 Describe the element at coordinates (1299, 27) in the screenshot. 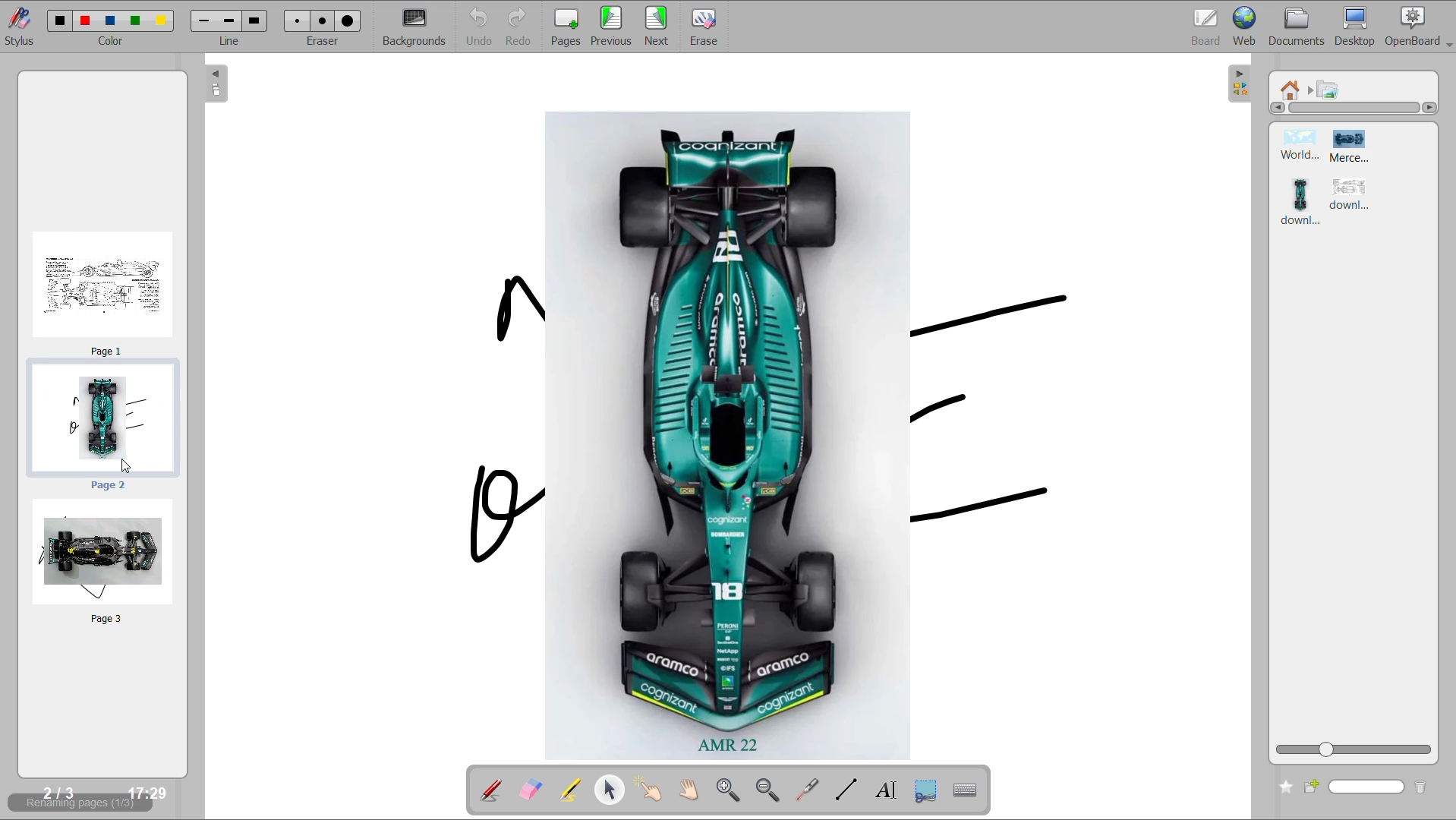

I see `documents` at that location.